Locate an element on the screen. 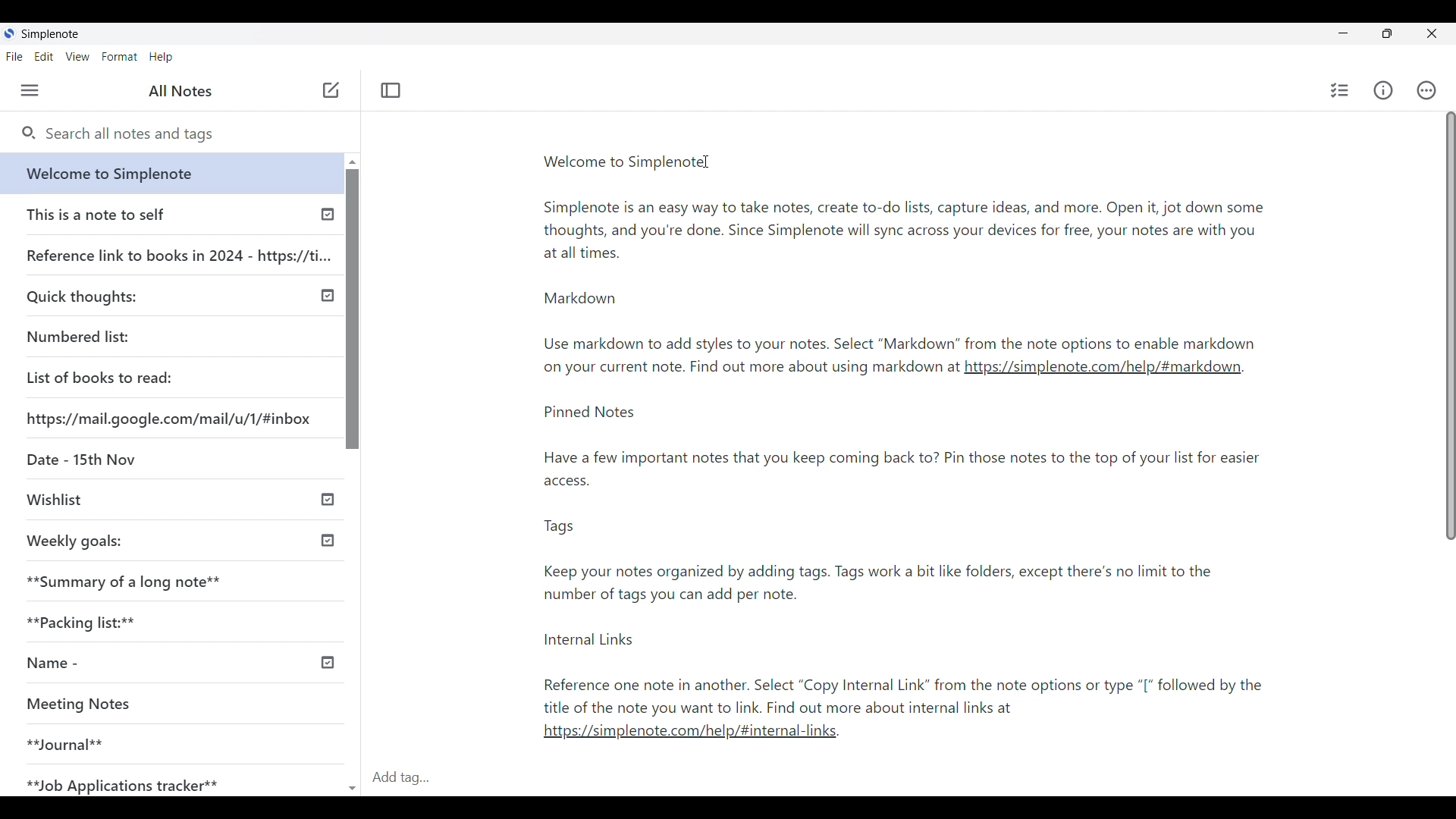 The height and width of the screenshot is (819, 1456). text is located at coordinates (748, 369).